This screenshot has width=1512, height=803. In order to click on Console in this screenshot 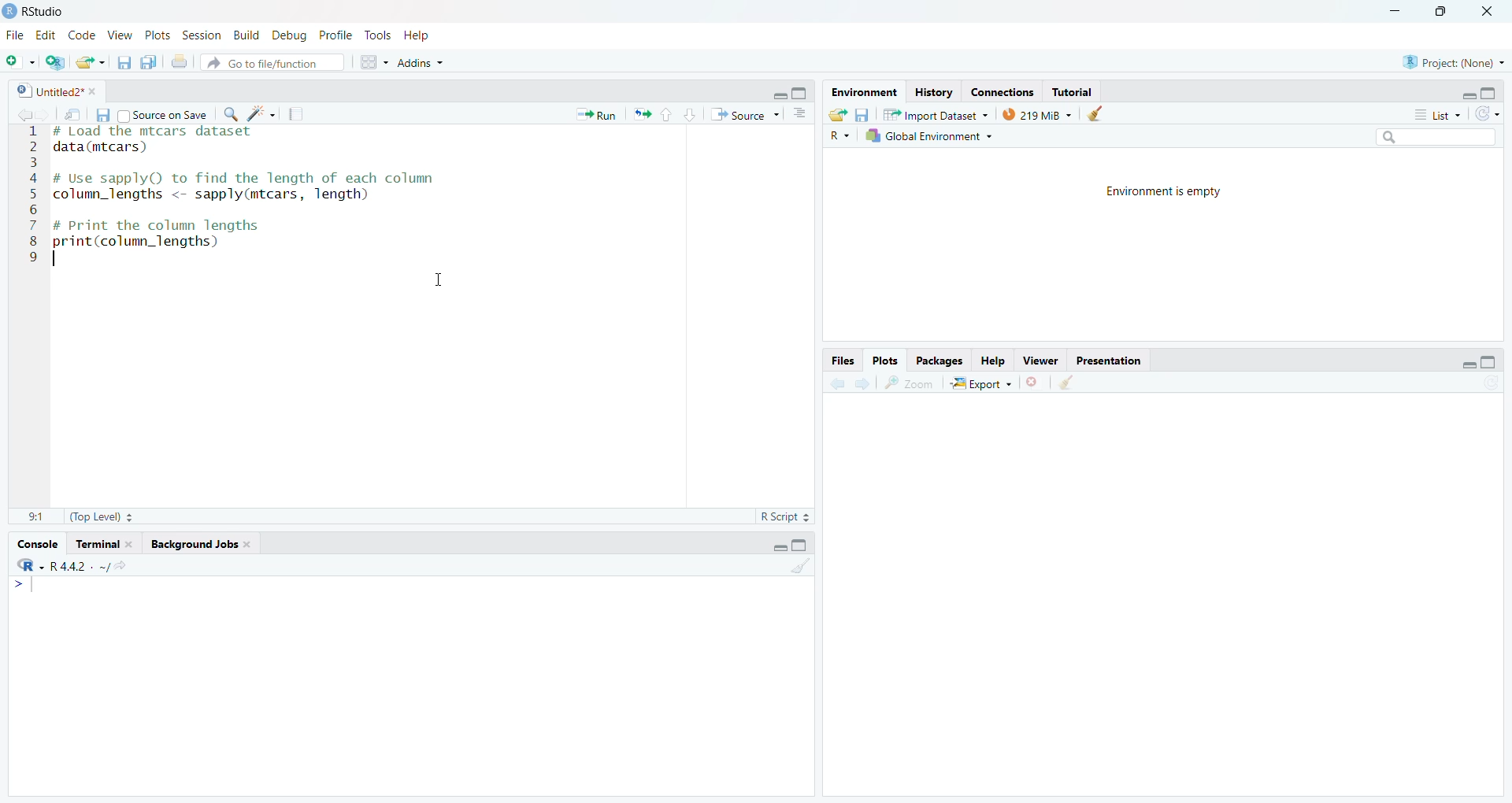, I will do `click(411, 685)`.